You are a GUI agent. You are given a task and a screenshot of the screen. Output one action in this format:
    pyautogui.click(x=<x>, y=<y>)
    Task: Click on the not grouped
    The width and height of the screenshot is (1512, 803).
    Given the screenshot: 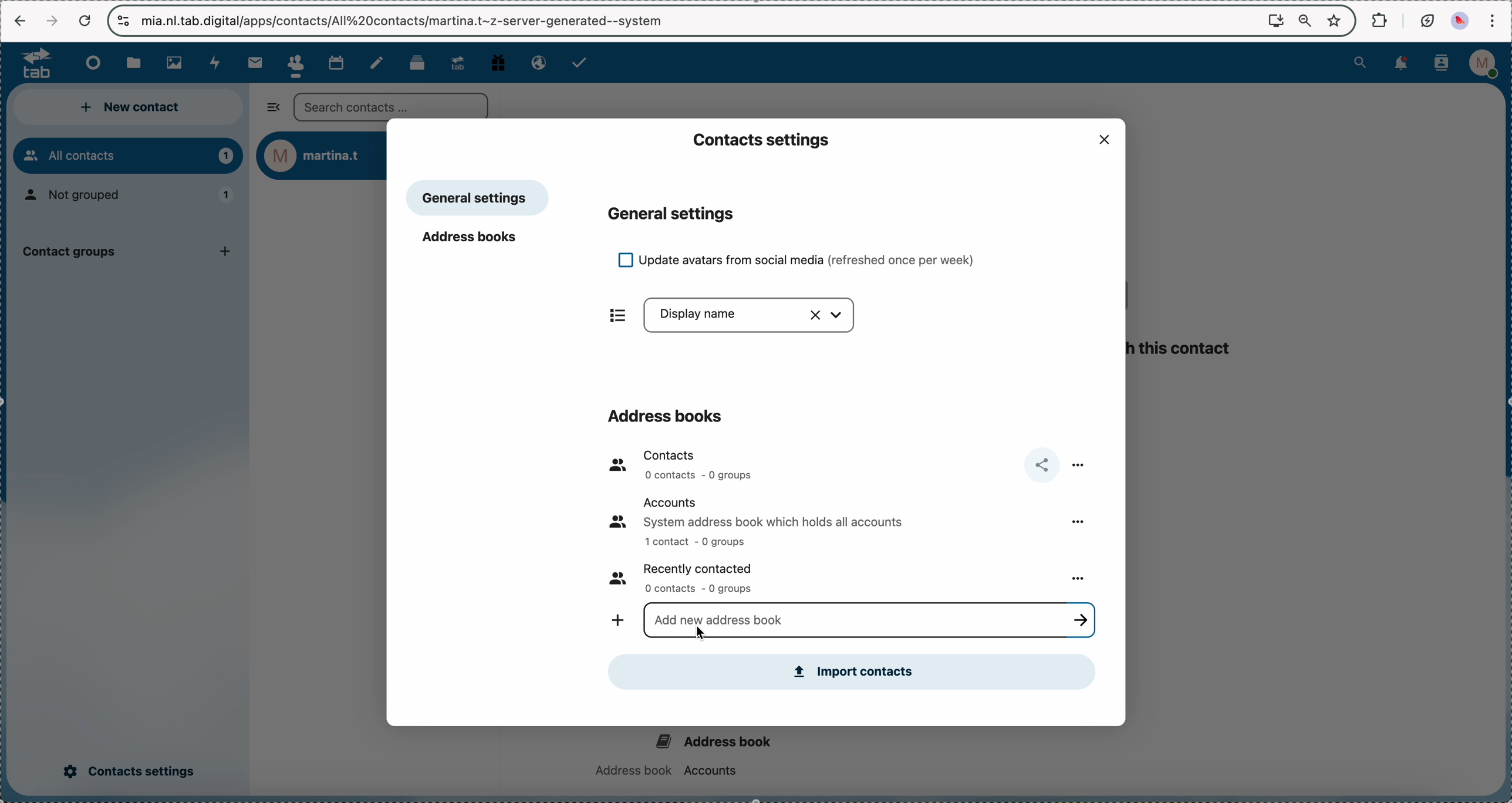 What is the action you would take?
    pyautogui.click(x=131, y=197)
    